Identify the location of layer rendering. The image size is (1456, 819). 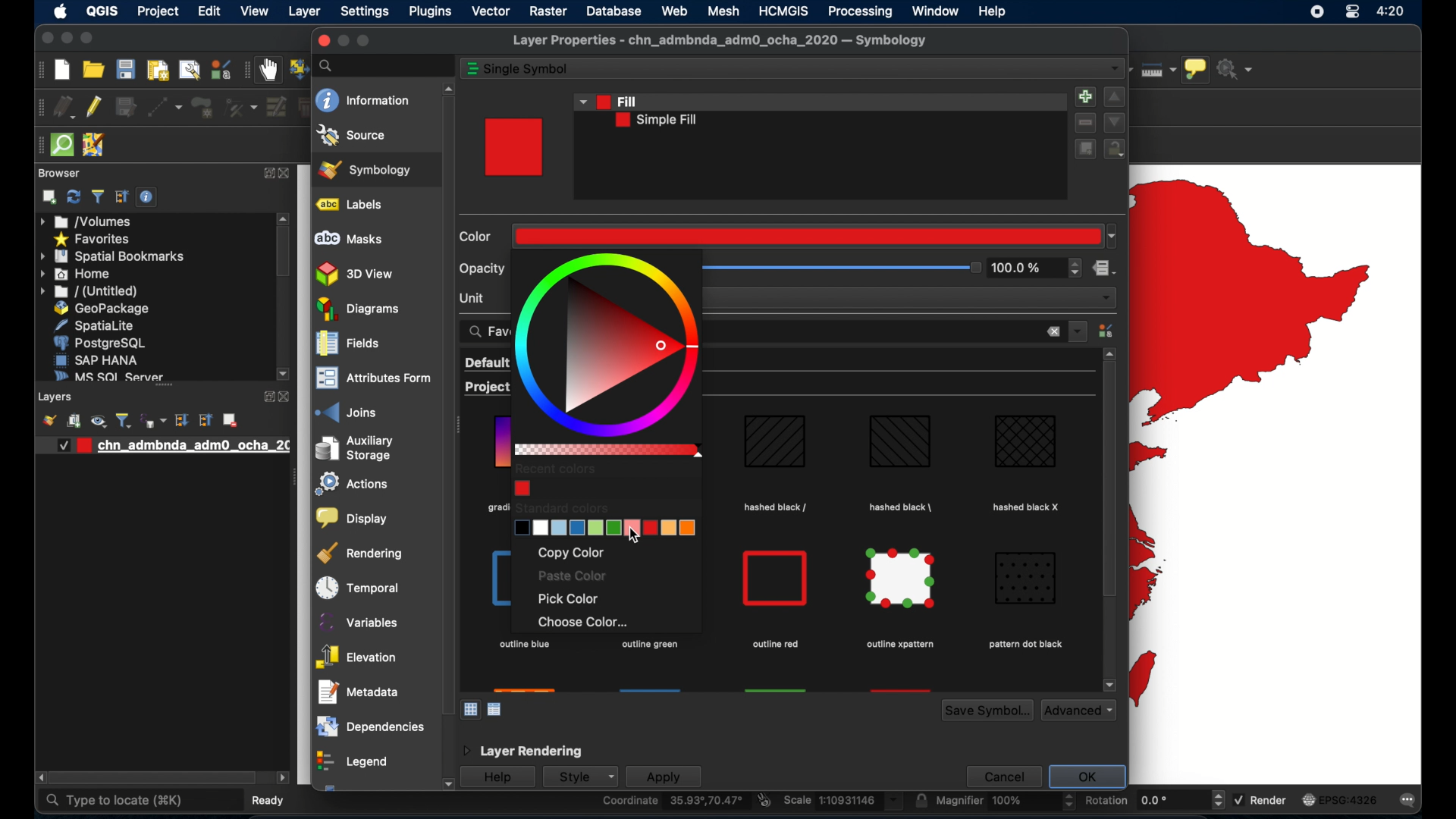
(521, 752).